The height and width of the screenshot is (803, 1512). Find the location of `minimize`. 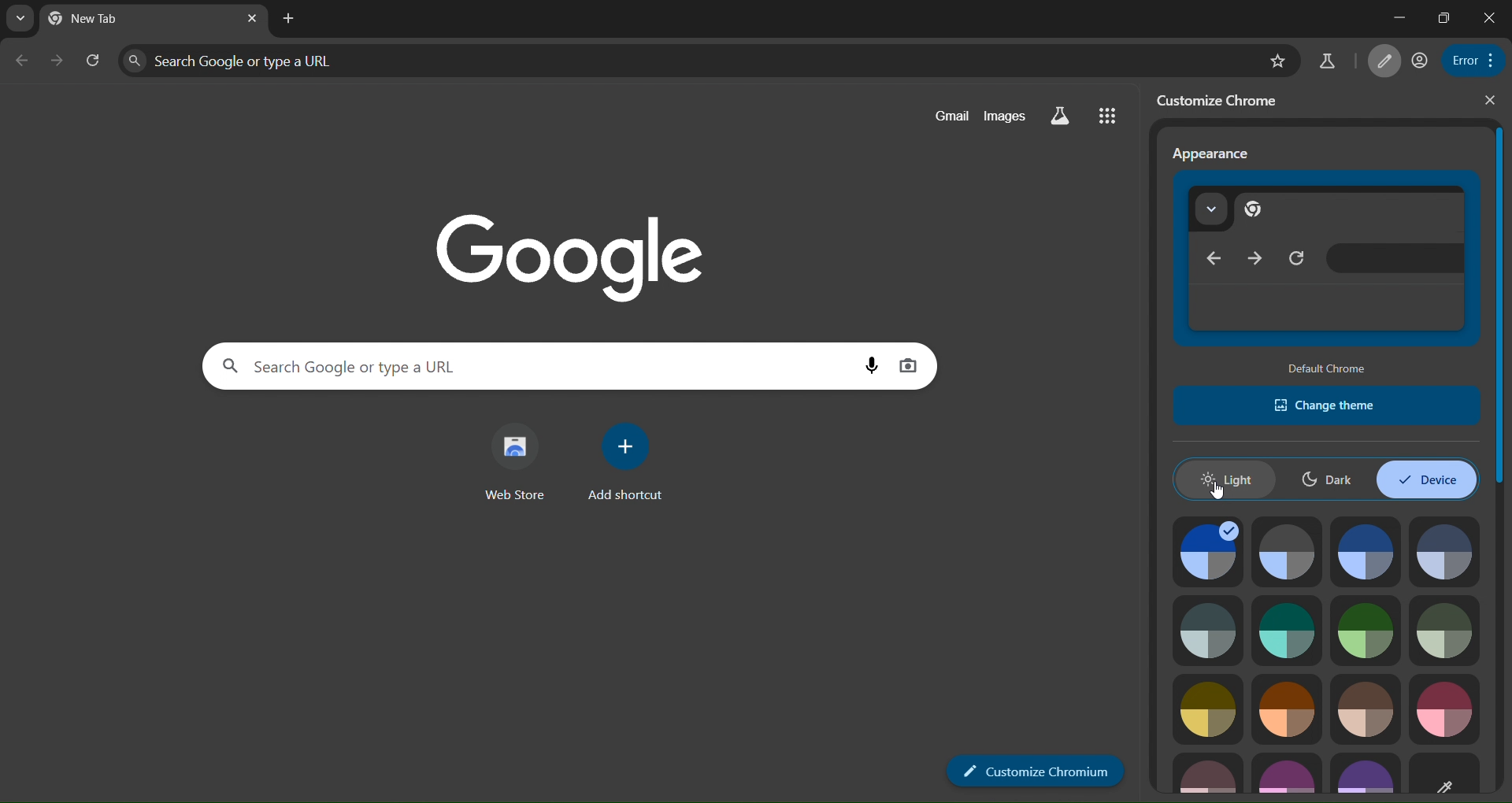

minimize is located at coordinates (1395, 17).